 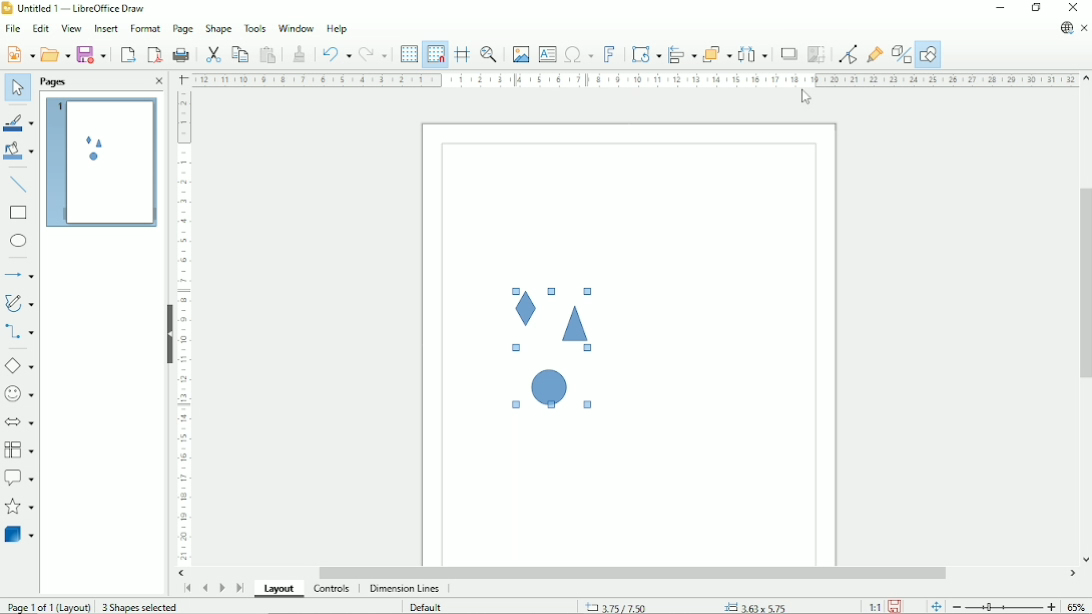 What do you see at coordinates (20, 393) in the screenshot?
I see `Symbol shapes` at bounding box center [20, 393].